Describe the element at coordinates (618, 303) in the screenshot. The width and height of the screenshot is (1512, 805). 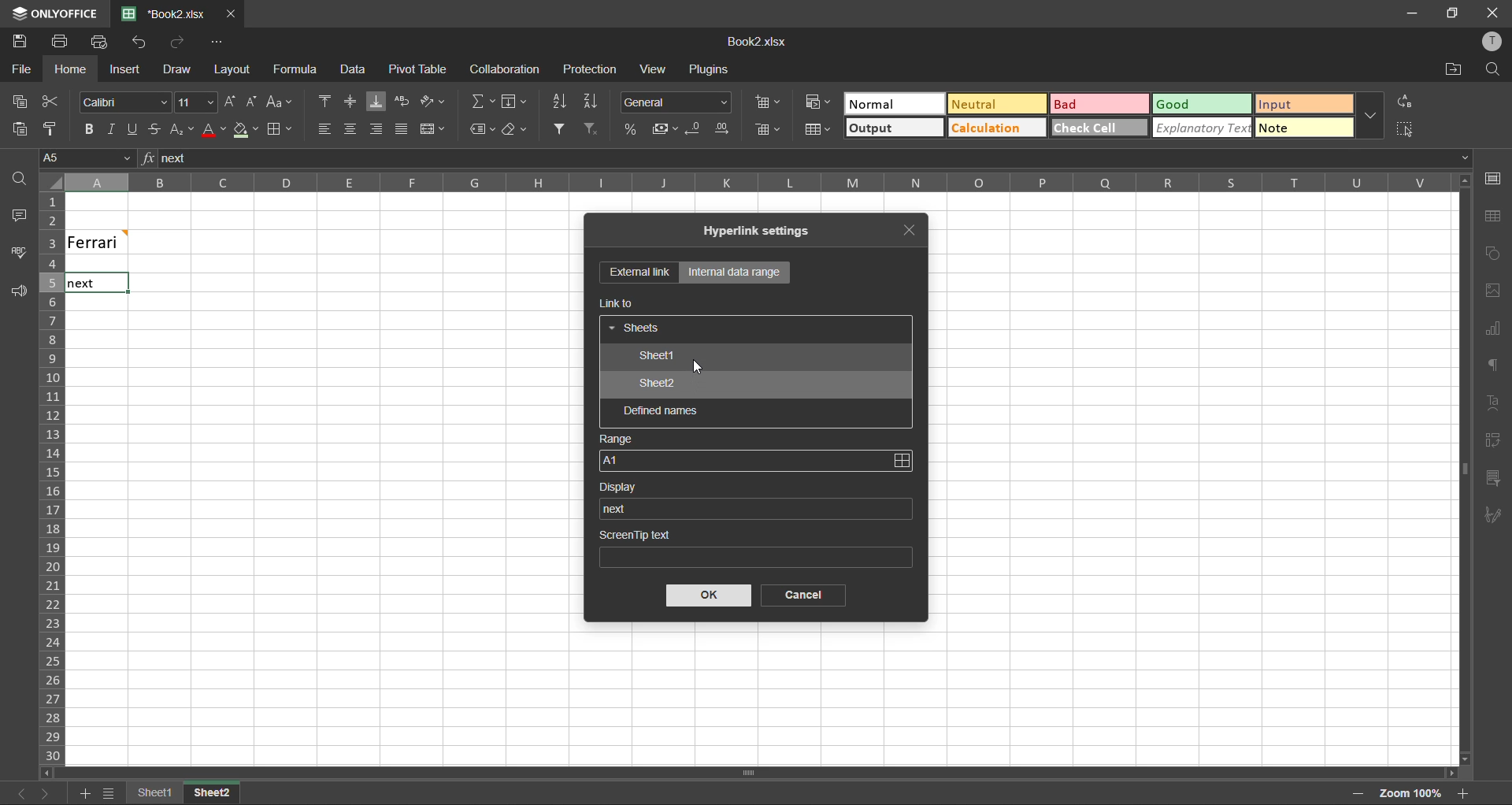
I see `link to` at that location.